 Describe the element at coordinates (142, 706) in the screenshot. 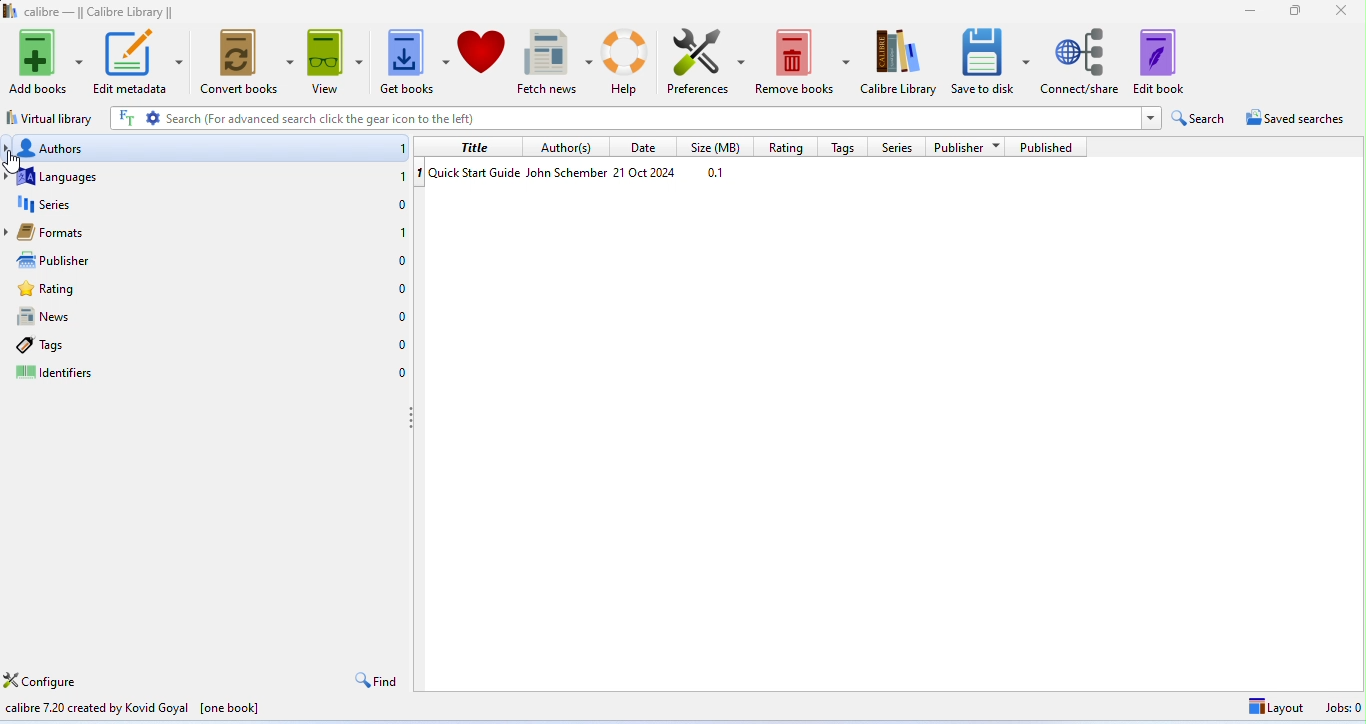

I see `calibre manufacture information` at that location.